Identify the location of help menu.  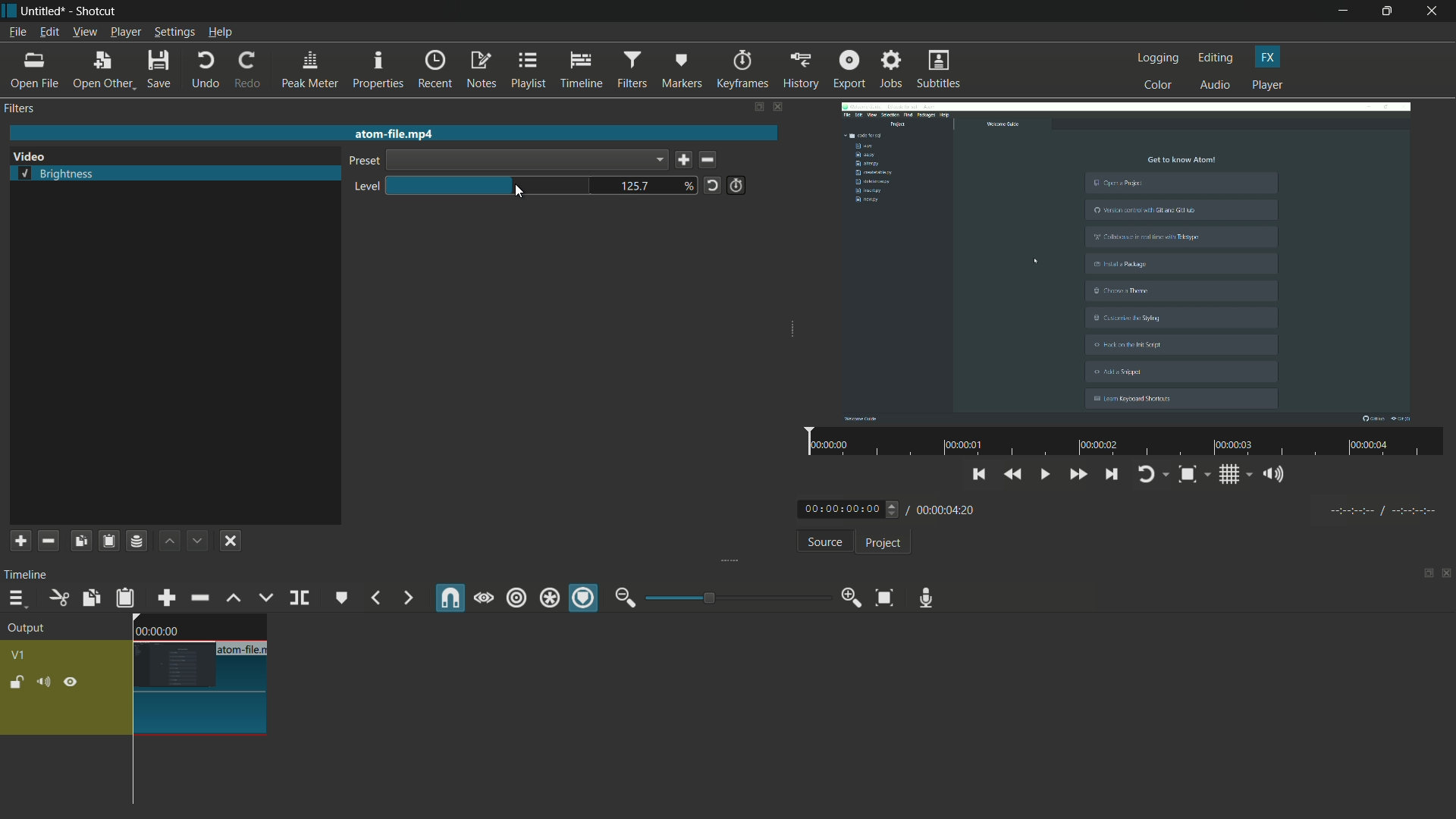
(221, 33).